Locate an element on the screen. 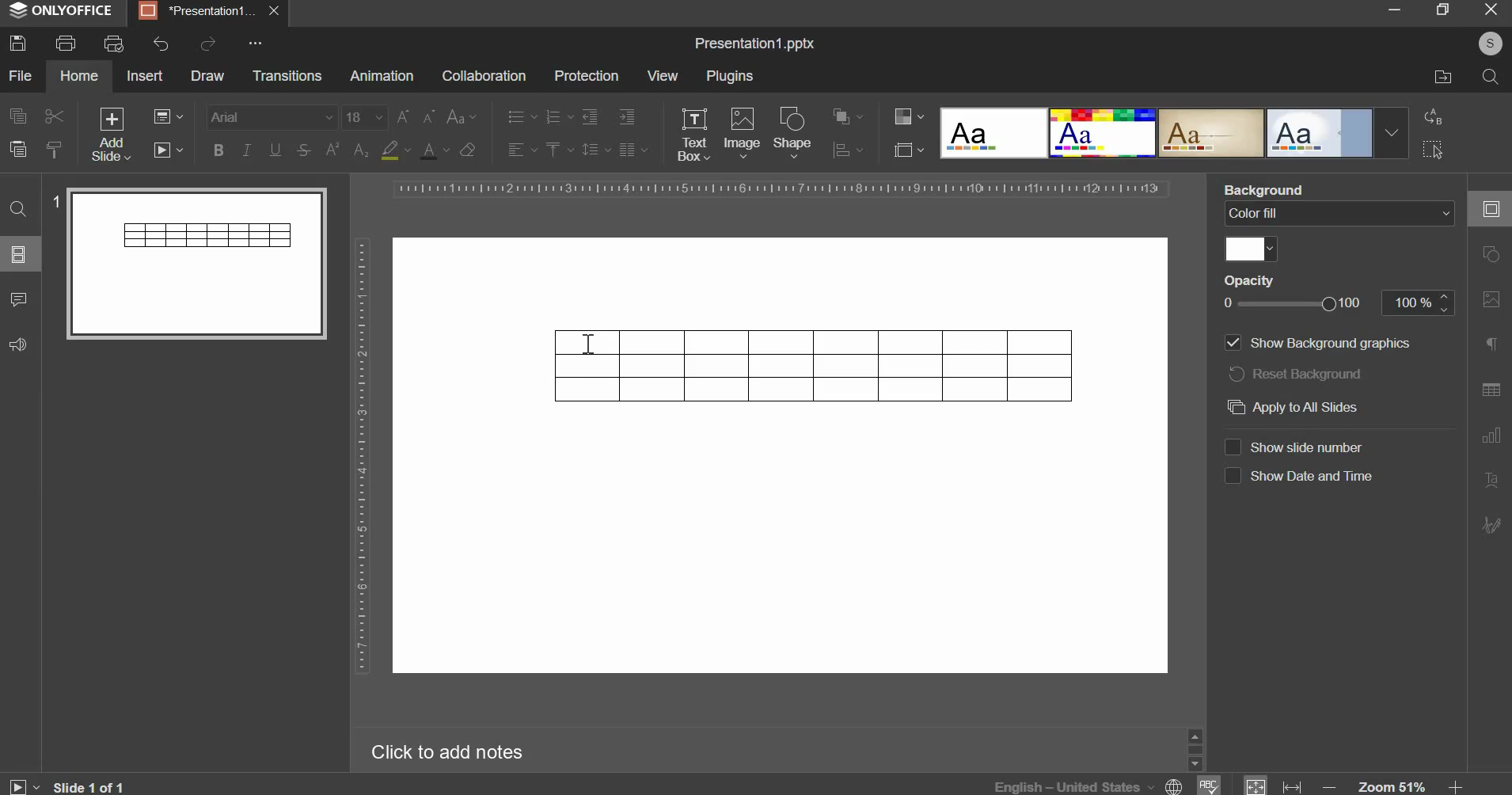 This screenshot has height=795, width=1512. Close is located at coordinates (1486, 12).